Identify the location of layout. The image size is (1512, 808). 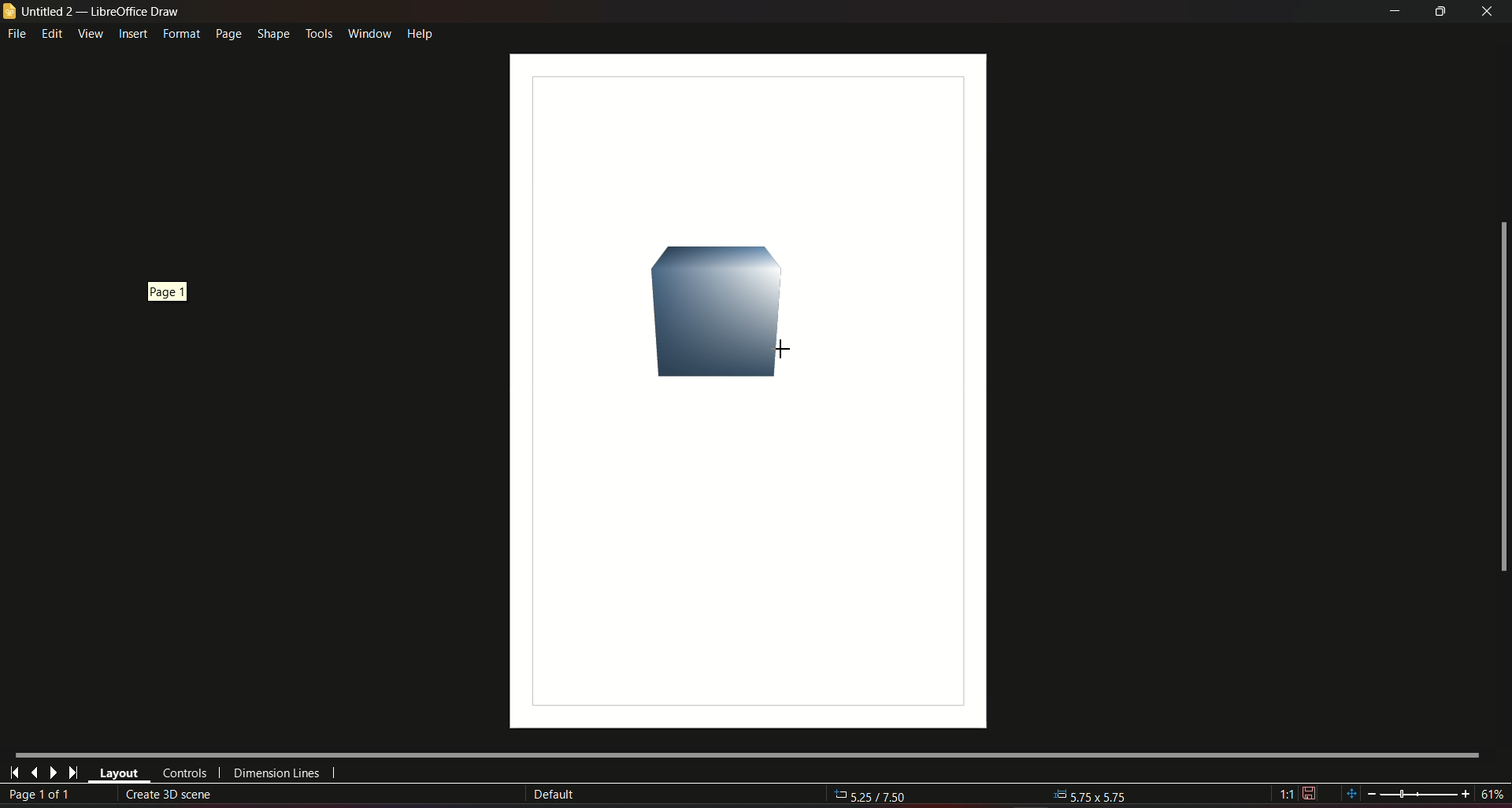
(119, 774).